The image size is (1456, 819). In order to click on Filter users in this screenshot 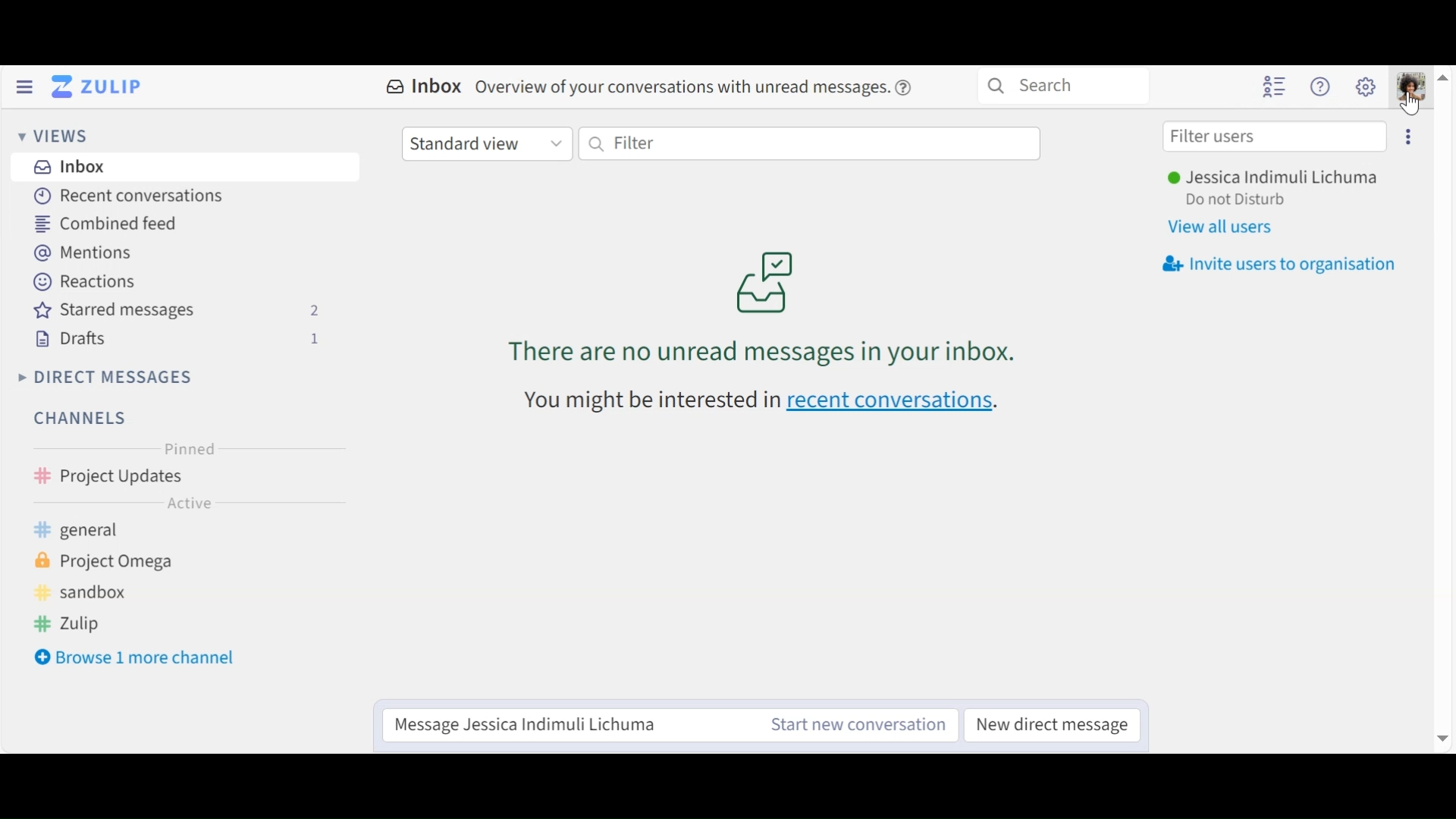, I will do `click(1272, 136)`.